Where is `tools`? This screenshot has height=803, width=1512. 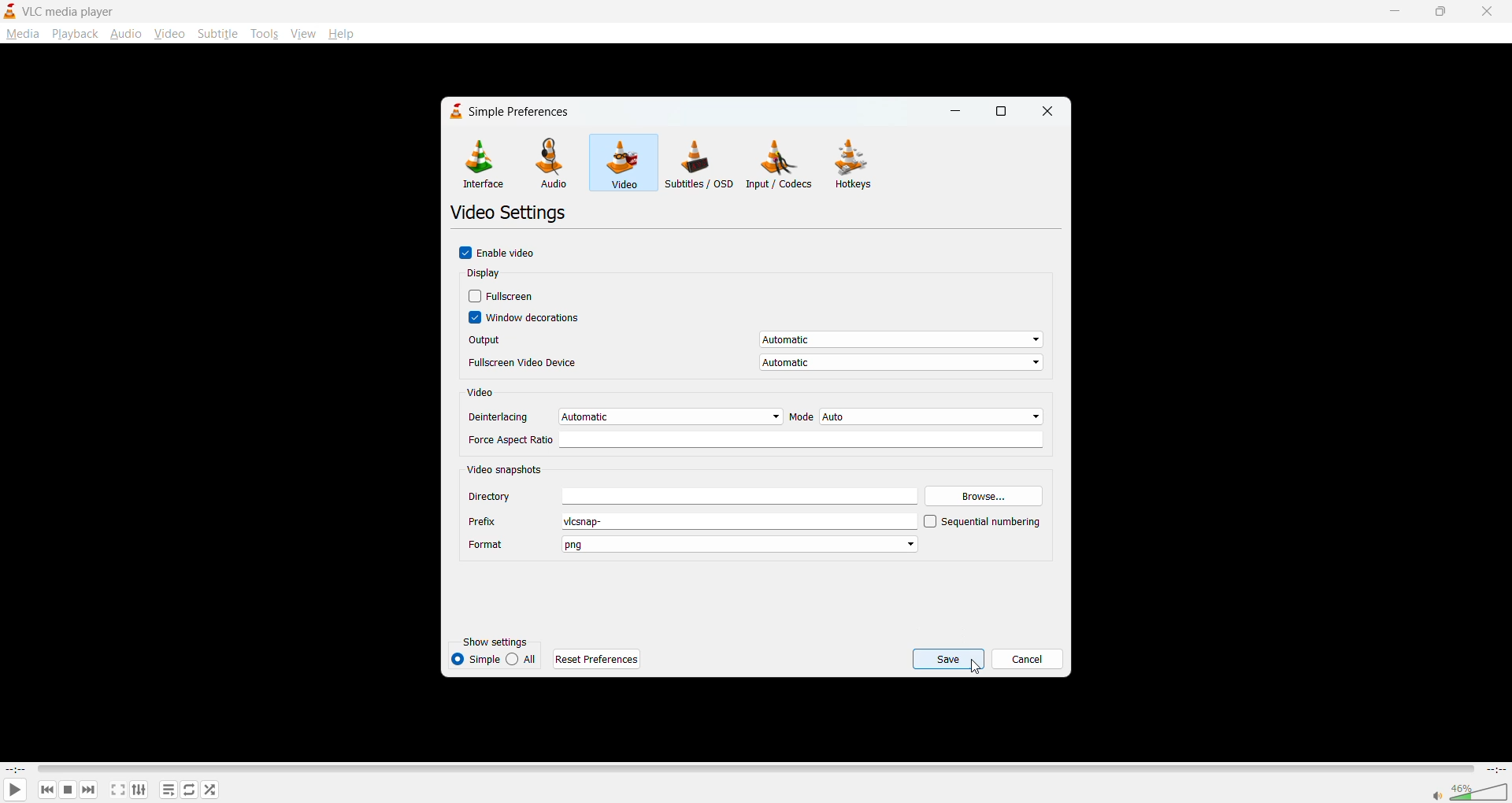 tools is located at coordinates (264, 35).